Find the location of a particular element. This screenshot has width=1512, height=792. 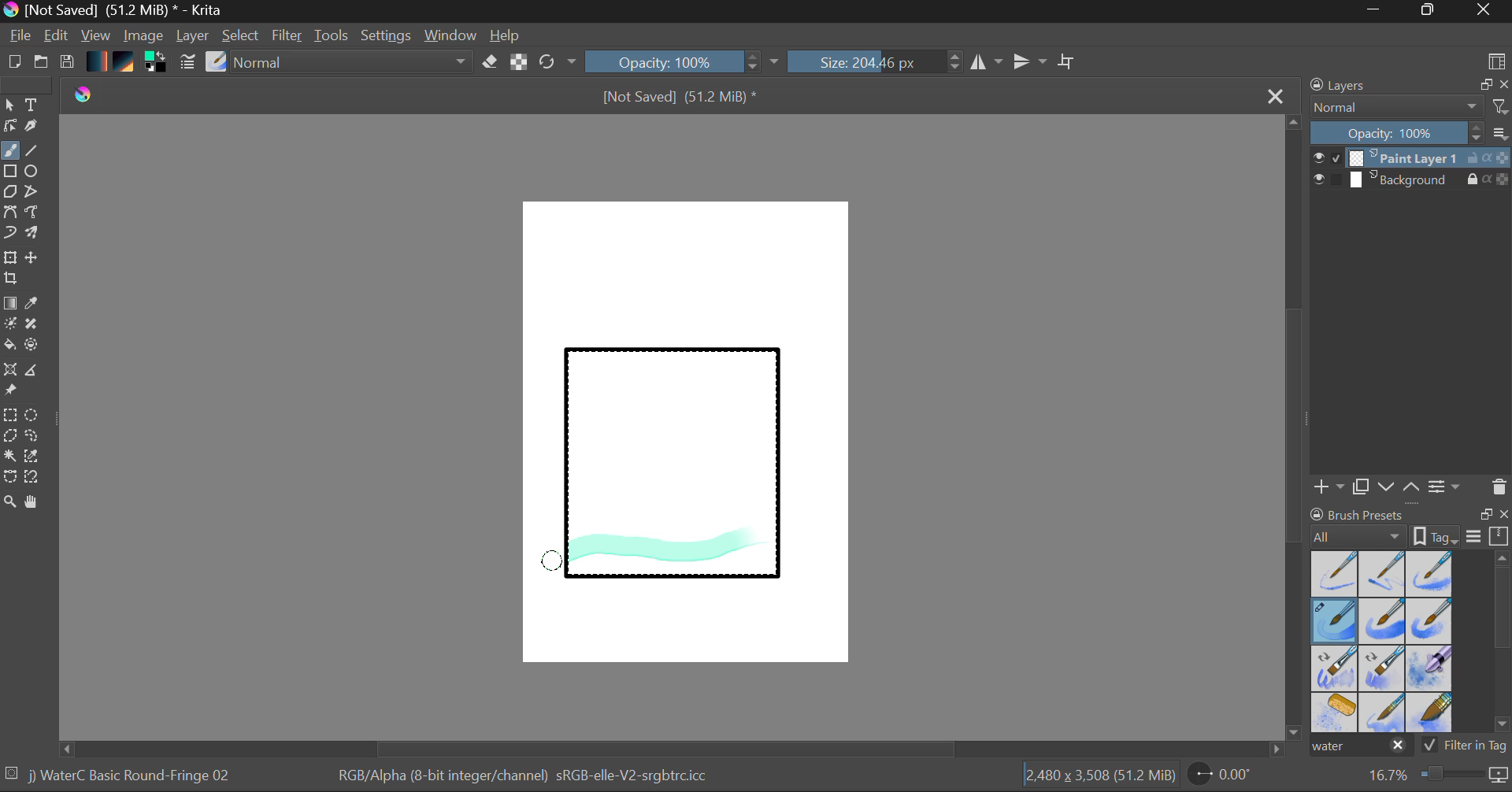

Water C - Spread is located at coordinates (1384, 712).